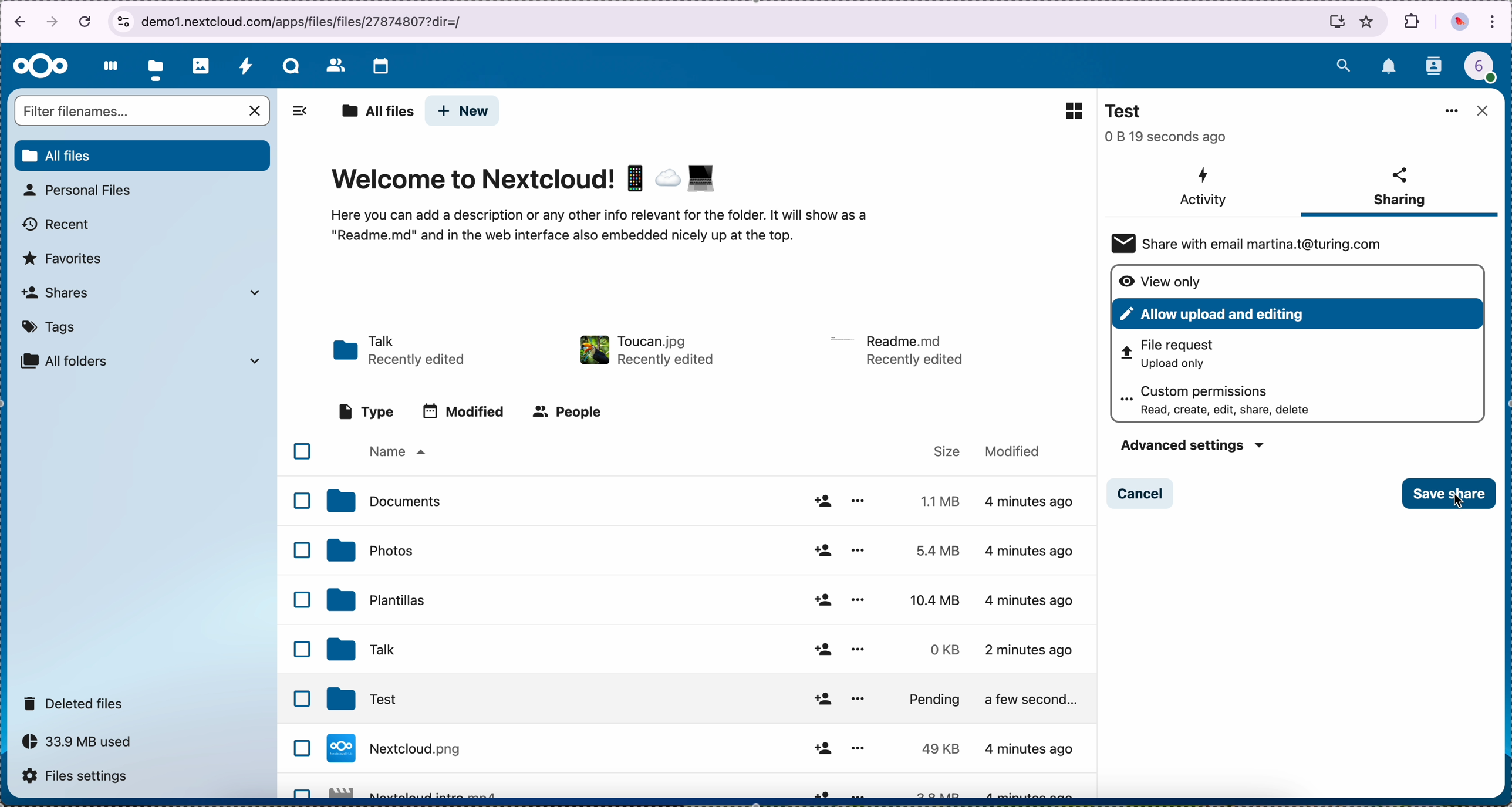 The height and width of the screenshot is (807, 1512). I want to click on personal files, so click(81, 190).